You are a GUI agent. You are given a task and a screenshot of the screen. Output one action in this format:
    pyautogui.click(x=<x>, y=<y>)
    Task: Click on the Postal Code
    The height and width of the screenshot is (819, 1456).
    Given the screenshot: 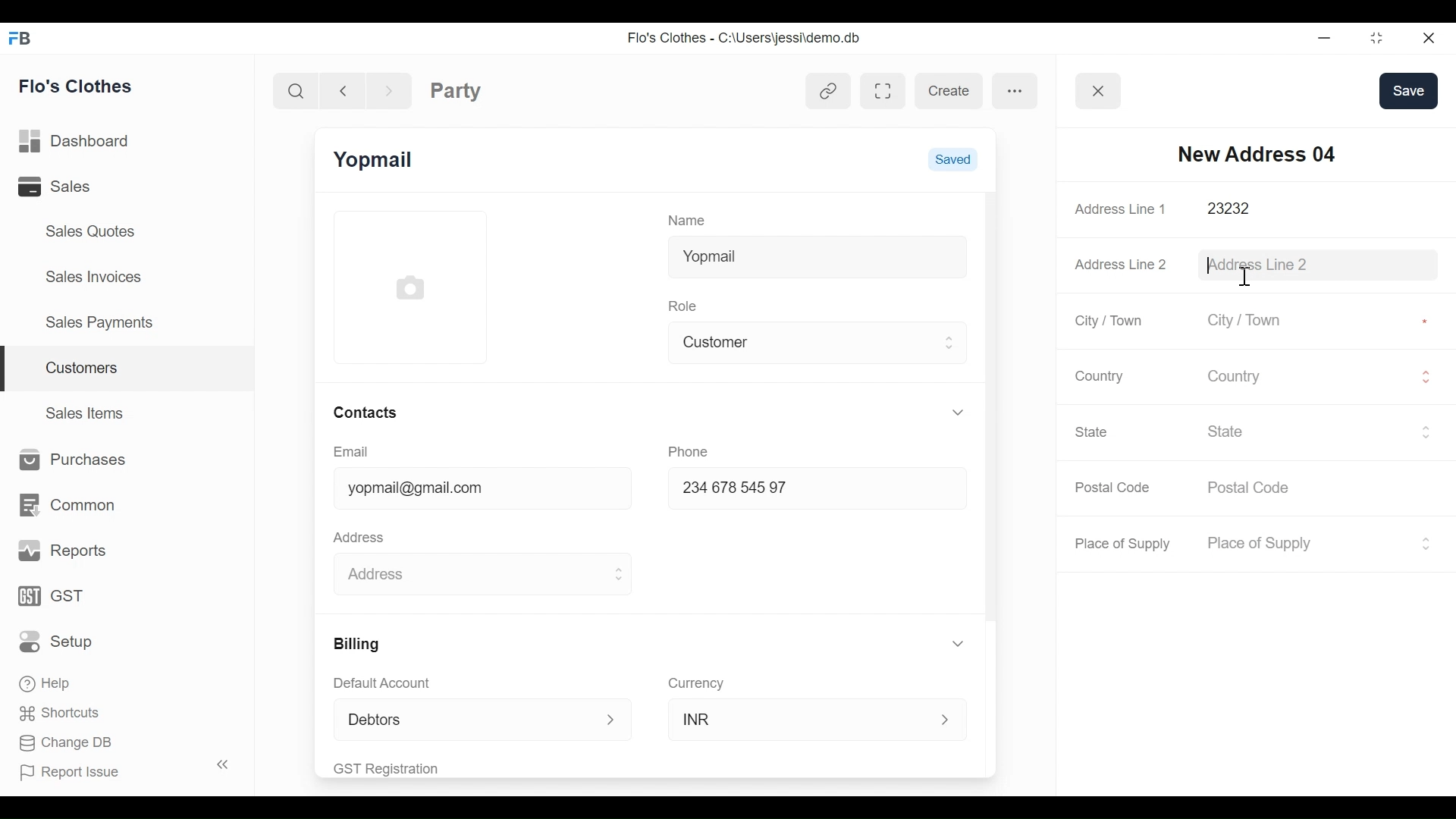 What is the action you would take?
    pyautogui.click(x=1258, y=488)
    